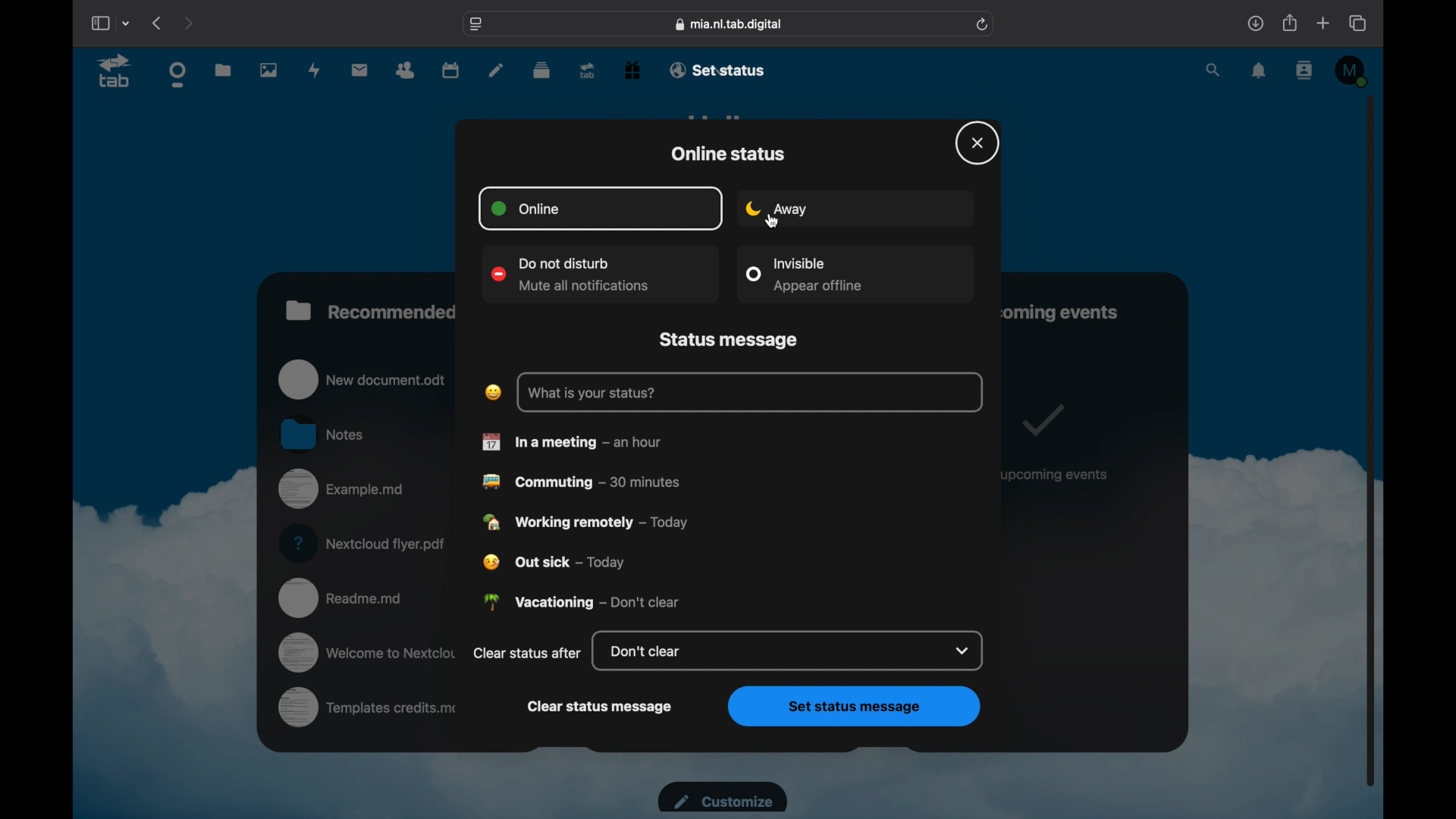 Image resolution: width=1456 pixels, height=819 pixels. Describe the element at coordinates (360, 69) in the screenshot. I see `mail` at that location.